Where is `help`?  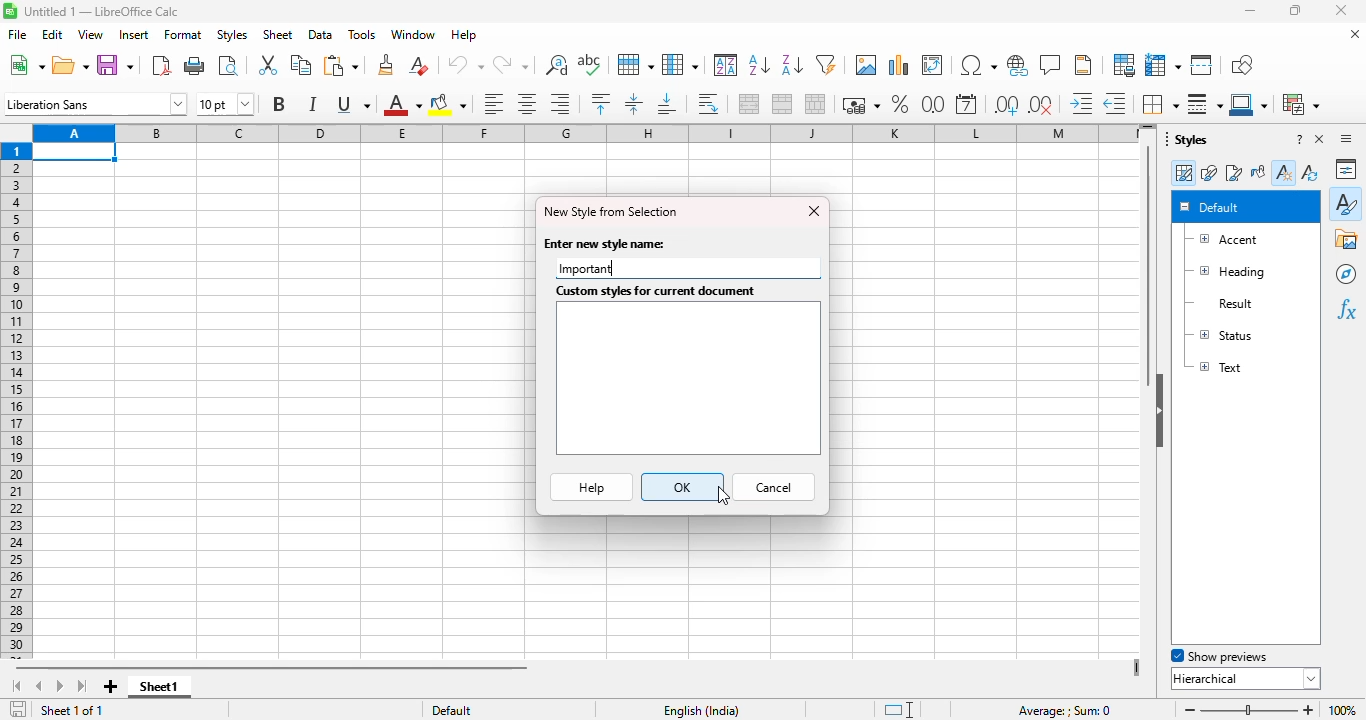
help is located at coordinates (592, 487).